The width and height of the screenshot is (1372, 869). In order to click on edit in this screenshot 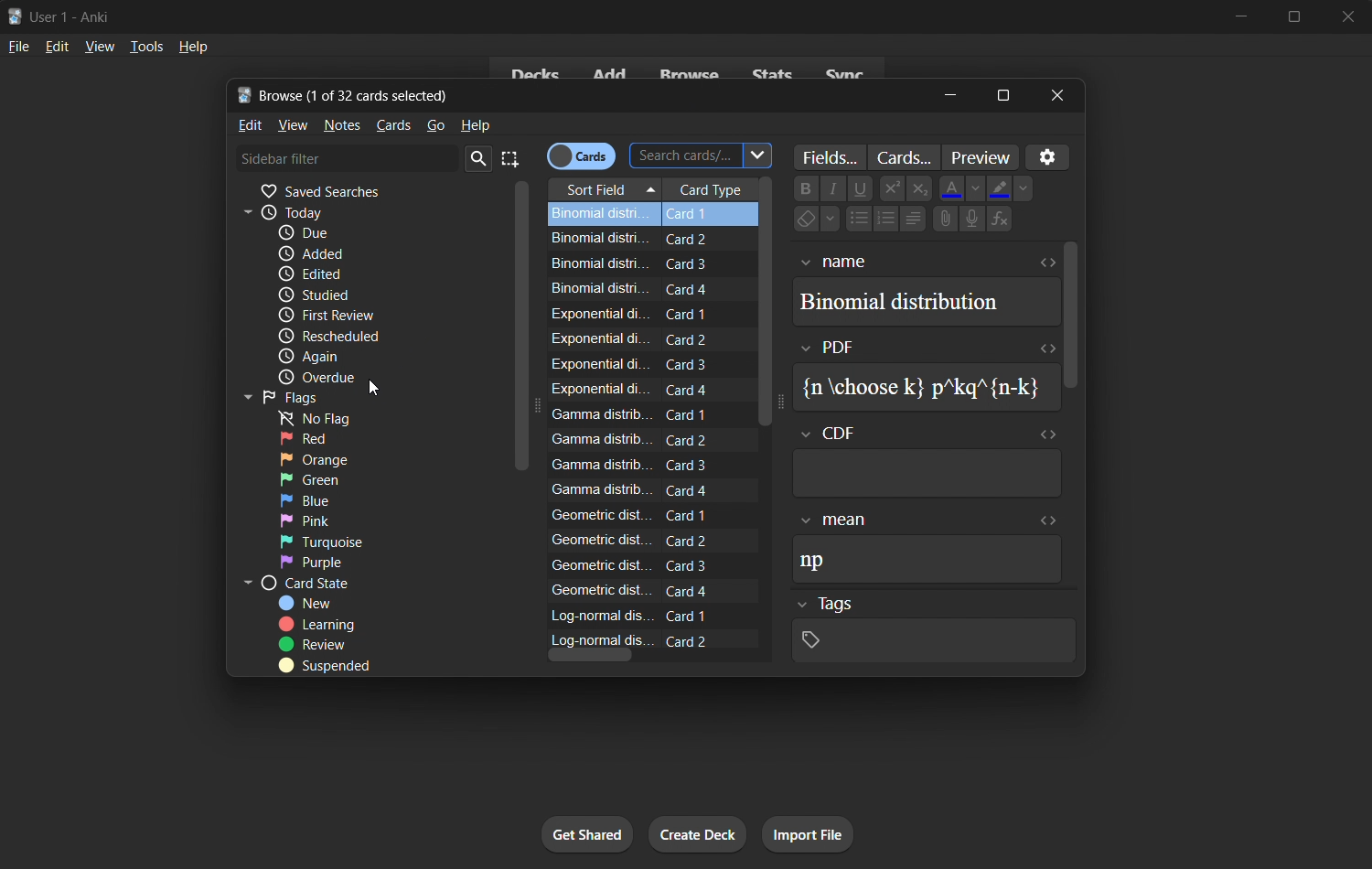, I will do `click(58, 46)`.